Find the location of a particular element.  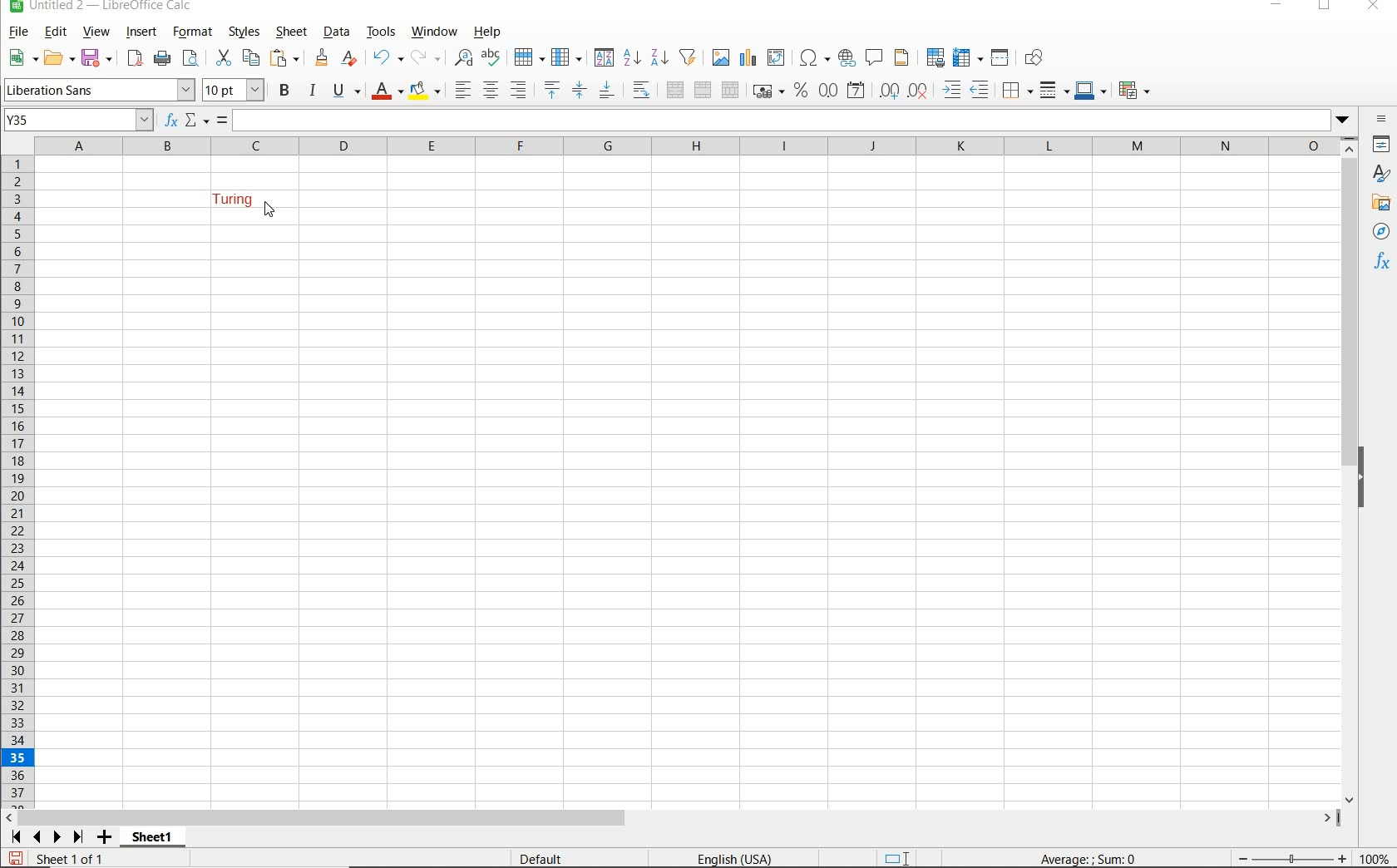

CONDITIONAL is located at coordinates (1132, 90).